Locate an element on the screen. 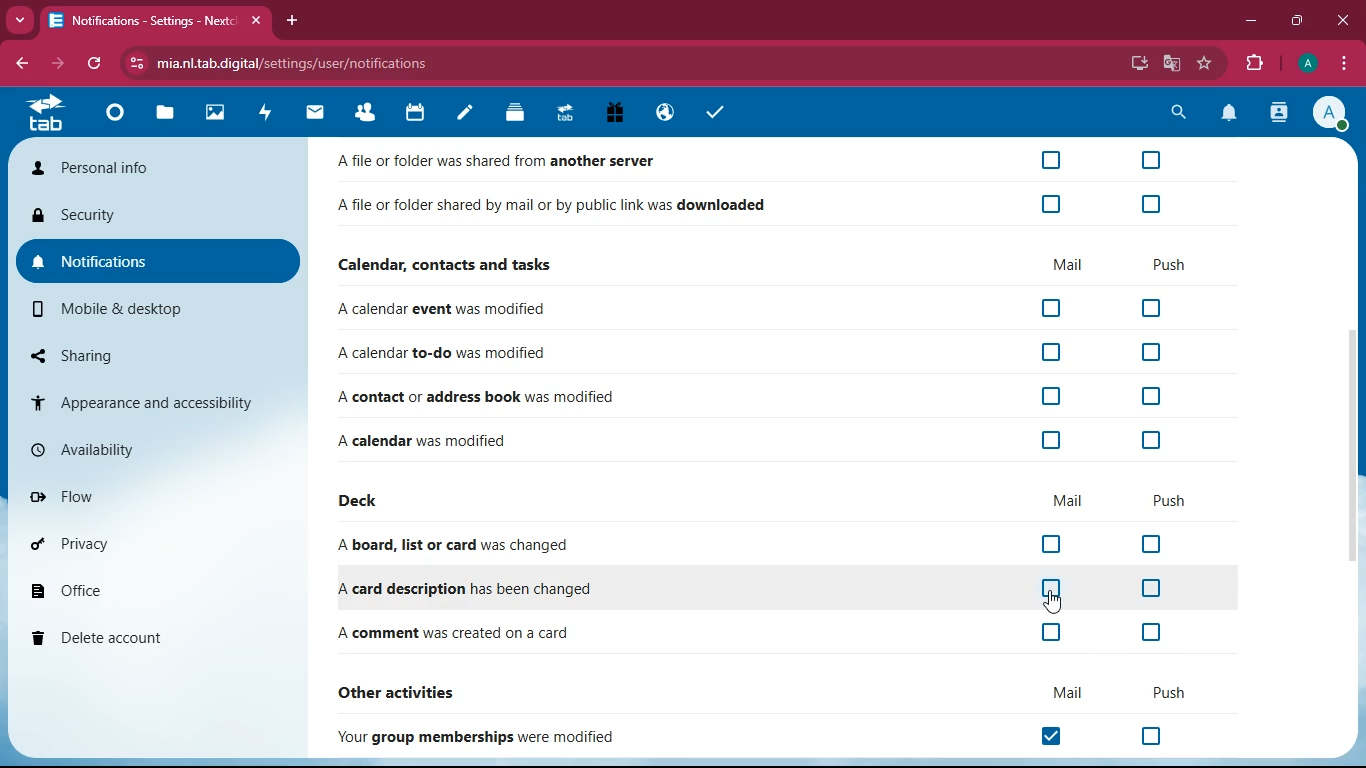  push is located at coordinates (1170, 502).